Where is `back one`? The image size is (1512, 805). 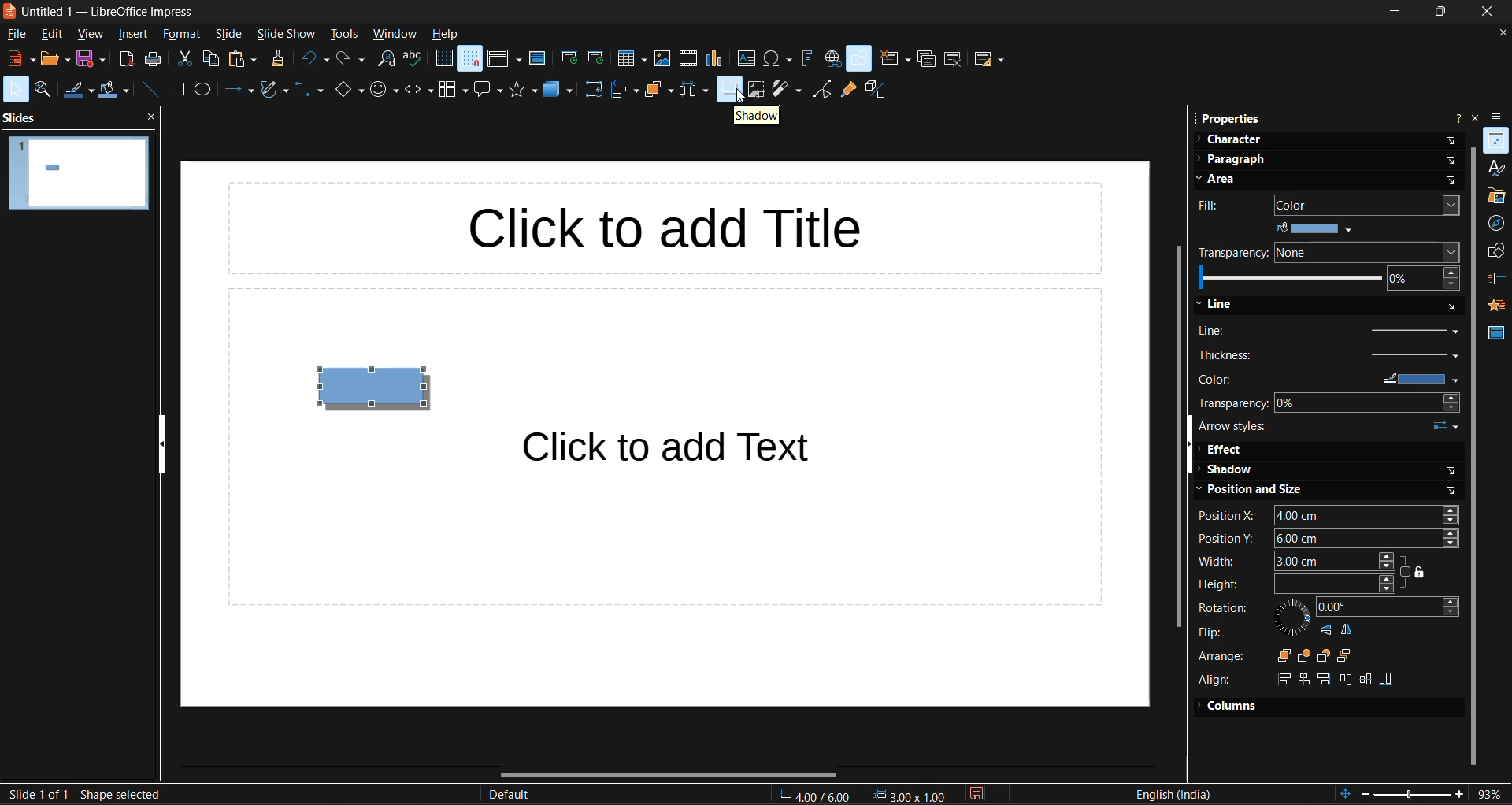 back one is located at coordinates (1325, 655).